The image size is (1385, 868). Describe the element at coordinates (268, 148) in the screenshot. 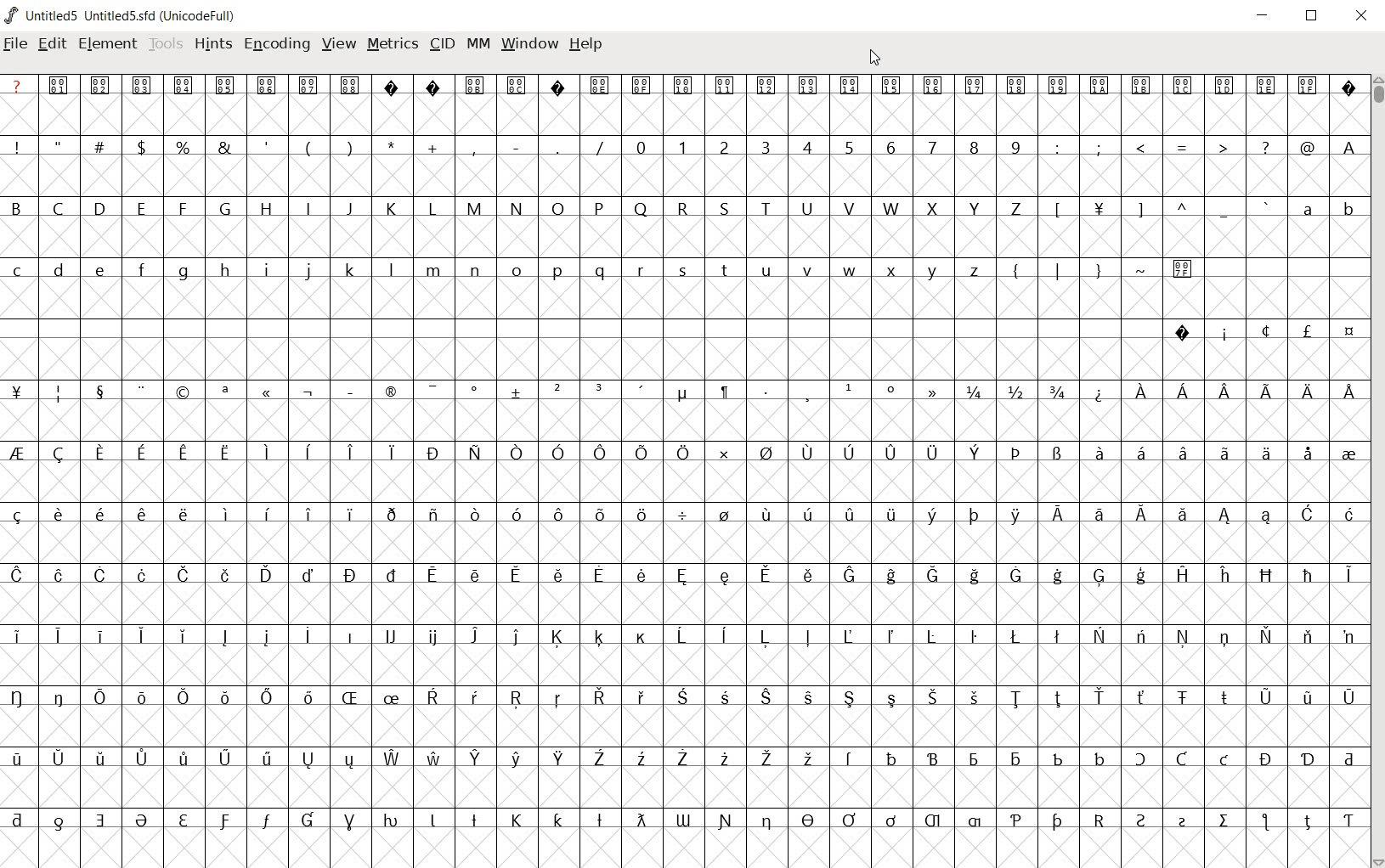

I see `'` at that location.